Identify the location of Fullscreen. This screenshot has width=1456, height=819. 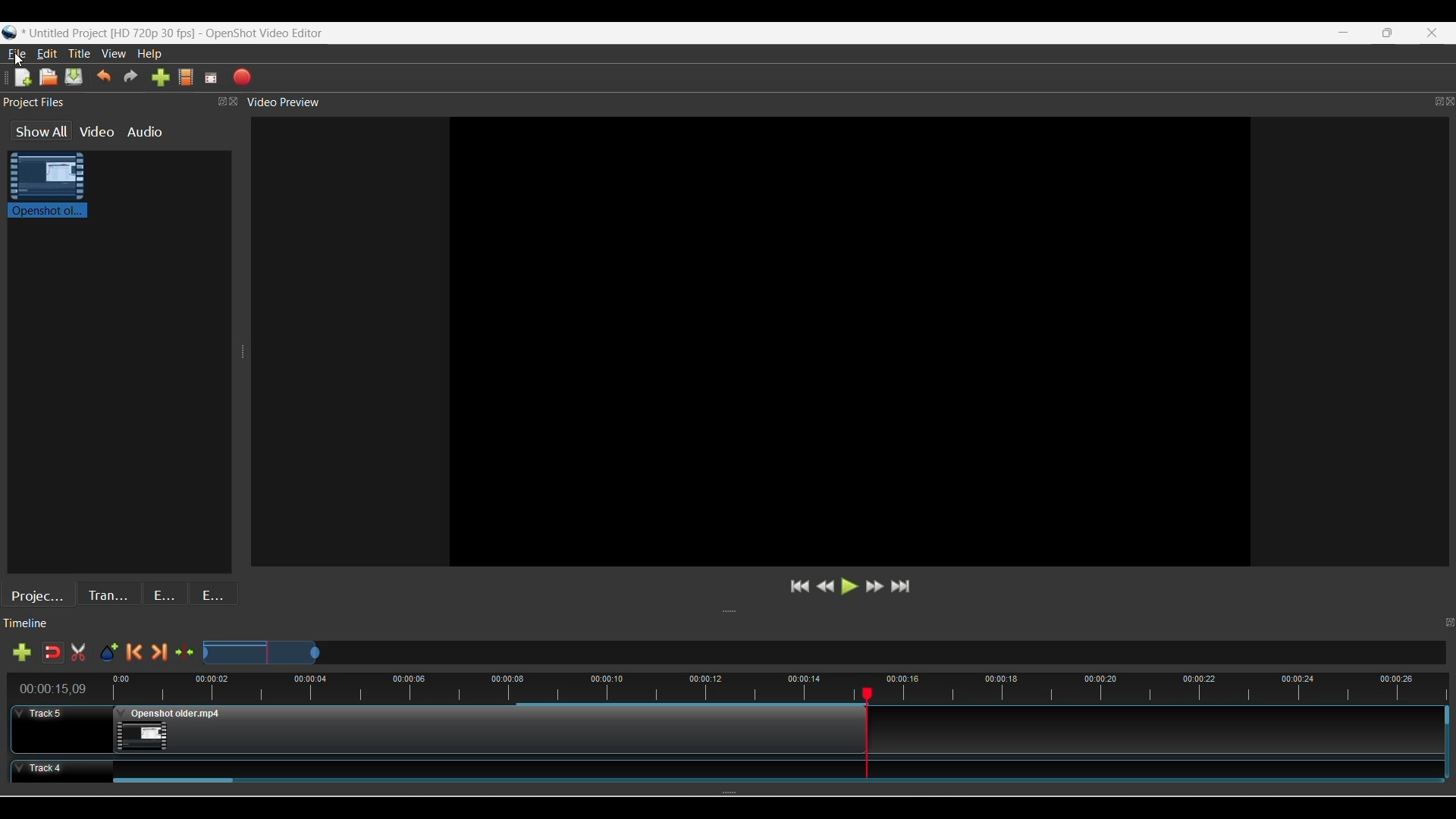
(210, 77).